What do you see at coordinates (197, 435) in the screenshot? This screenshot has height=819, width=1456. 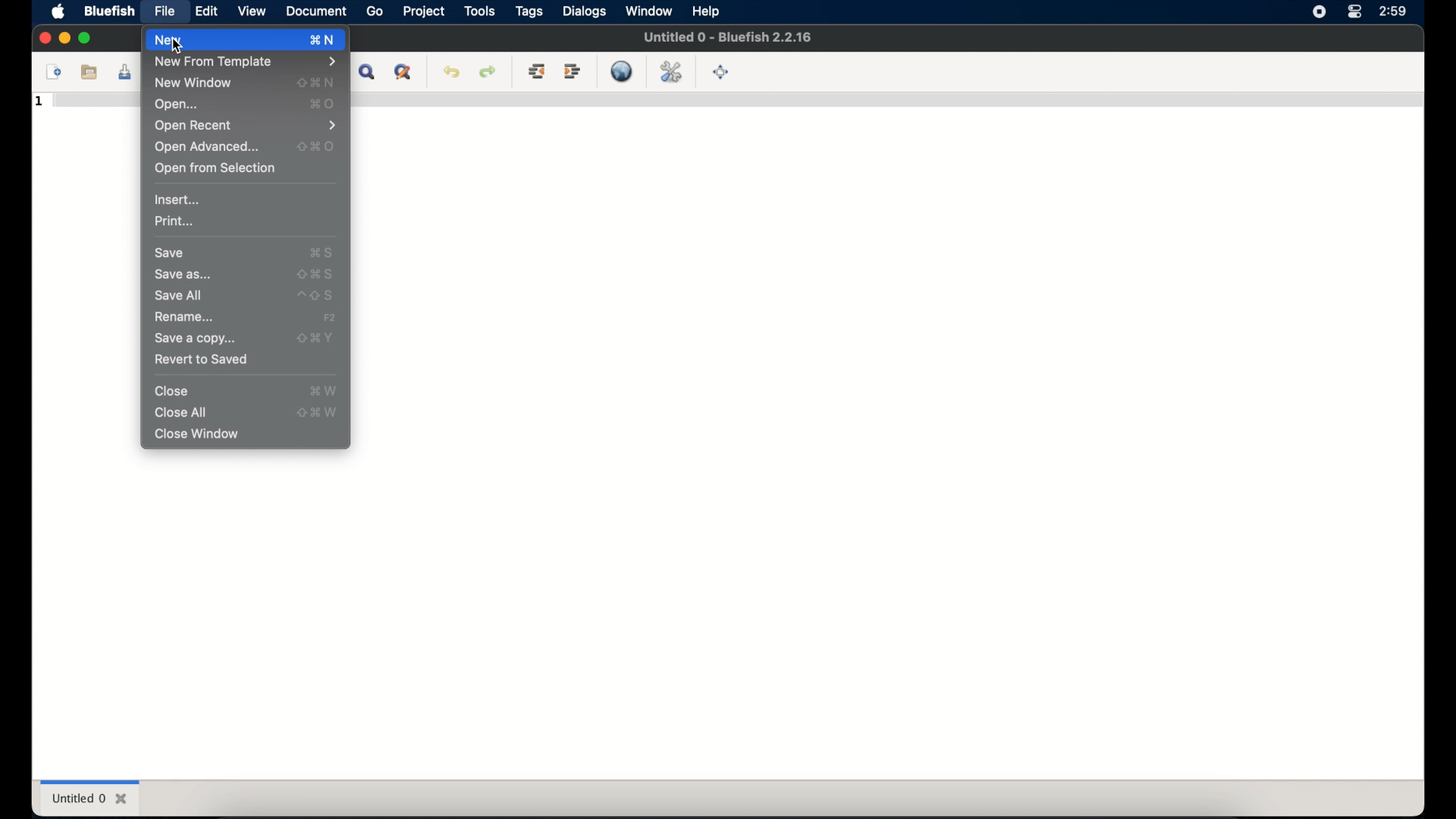 I see `close window` at bounding box center [197, 435].